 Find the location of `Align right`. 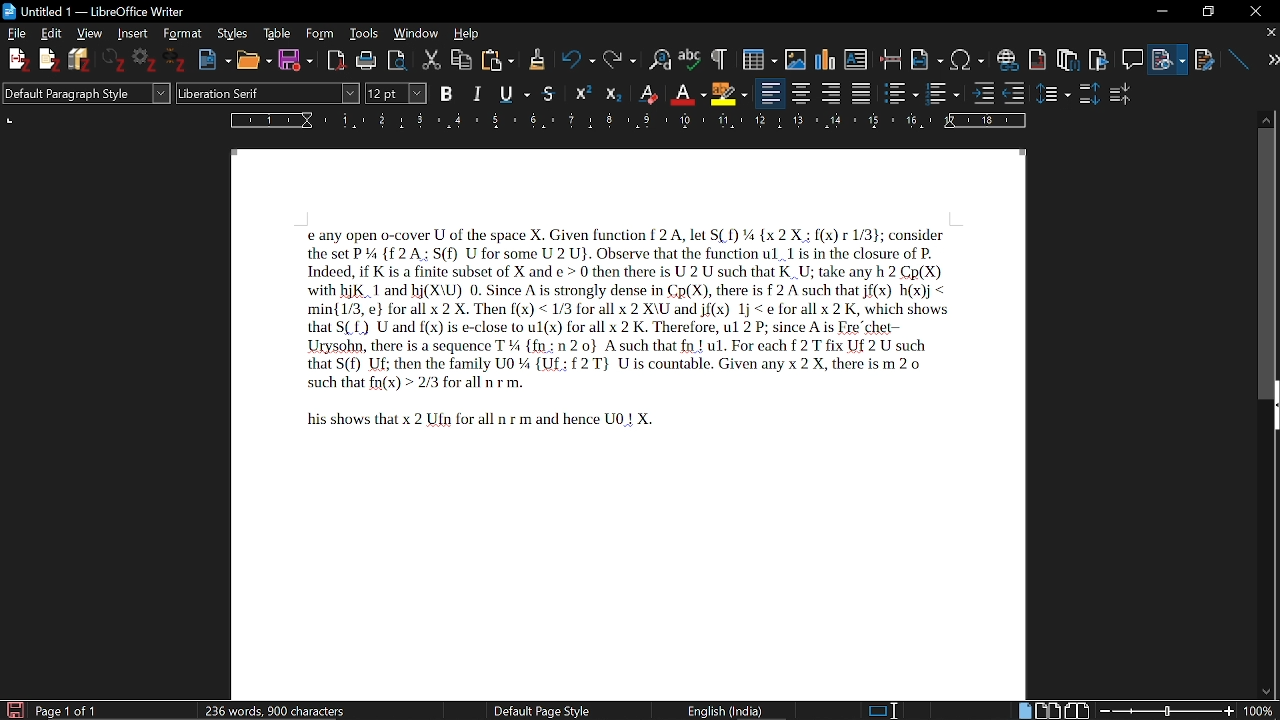

Align right is located at coordinates (833, 92).